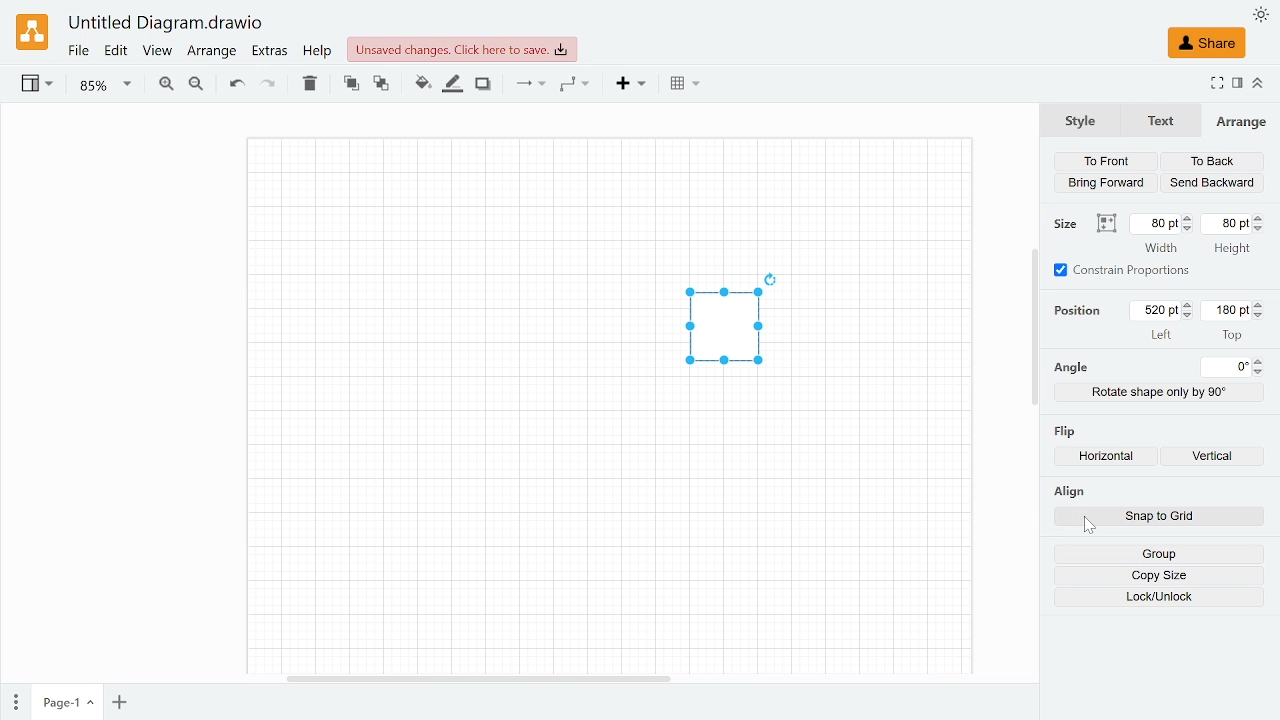  What do you see at coordinates (1067, 429) in the screenshot?
I see `flip` at bounding box center [1067, 429].